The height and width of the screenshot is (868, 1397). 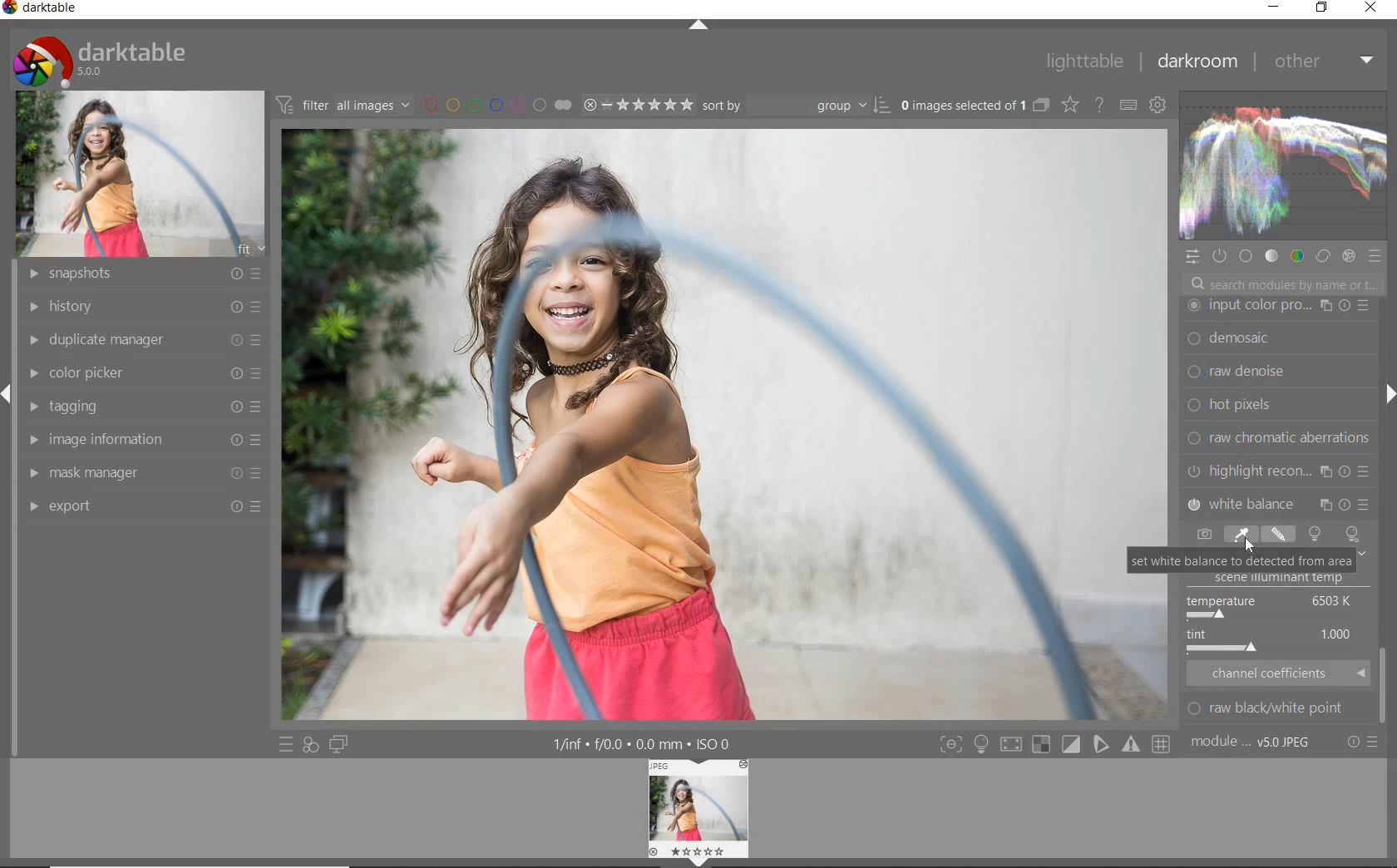 What do you see at coordinates (1044, 746) in the screenshot?
I see `toggle mode ` at bounding box center [1044, 746].